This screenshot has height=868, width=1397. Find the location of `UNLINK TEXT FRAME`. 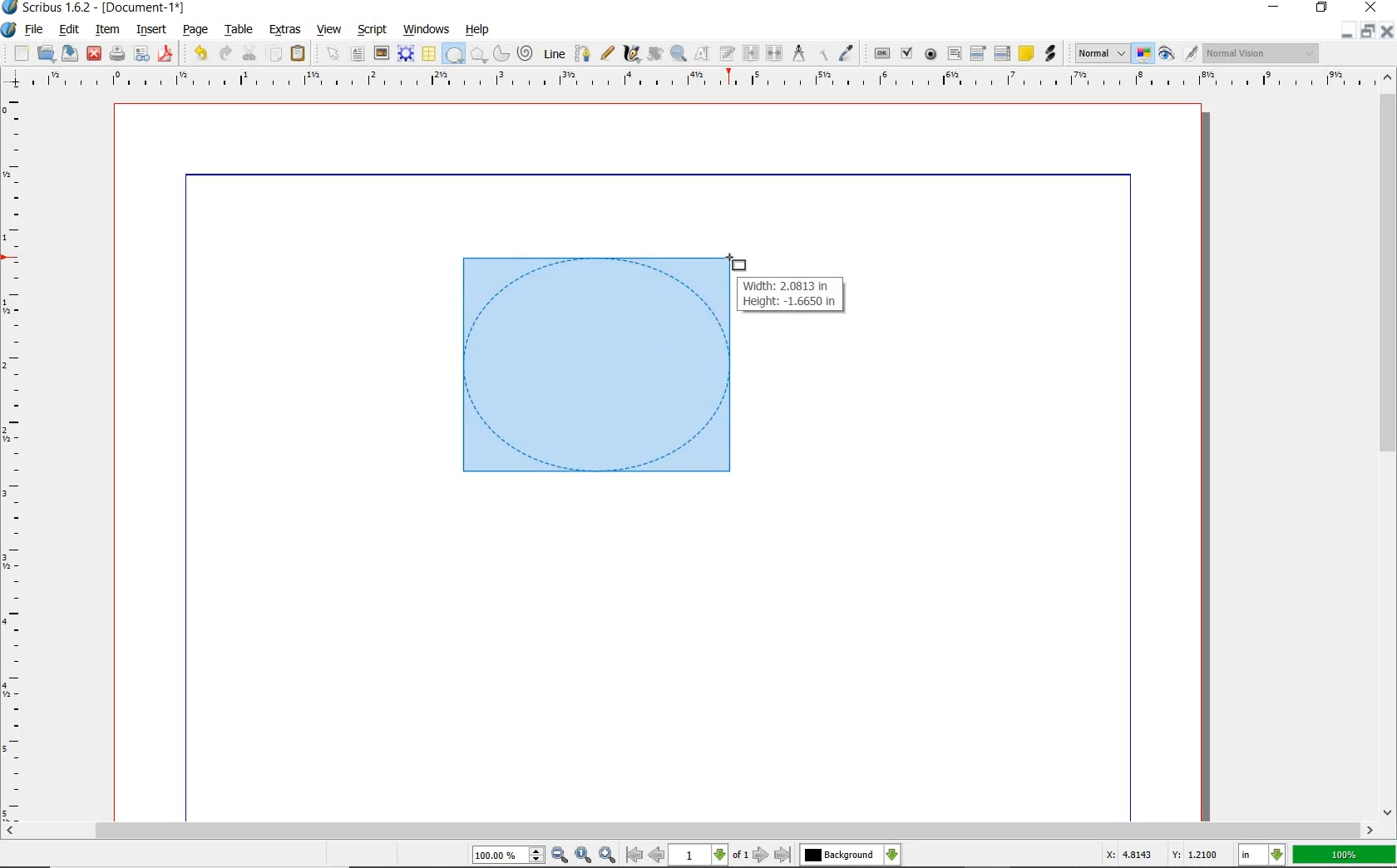

UNLINK TEXT FRAME is located at coordinates (773, 52).